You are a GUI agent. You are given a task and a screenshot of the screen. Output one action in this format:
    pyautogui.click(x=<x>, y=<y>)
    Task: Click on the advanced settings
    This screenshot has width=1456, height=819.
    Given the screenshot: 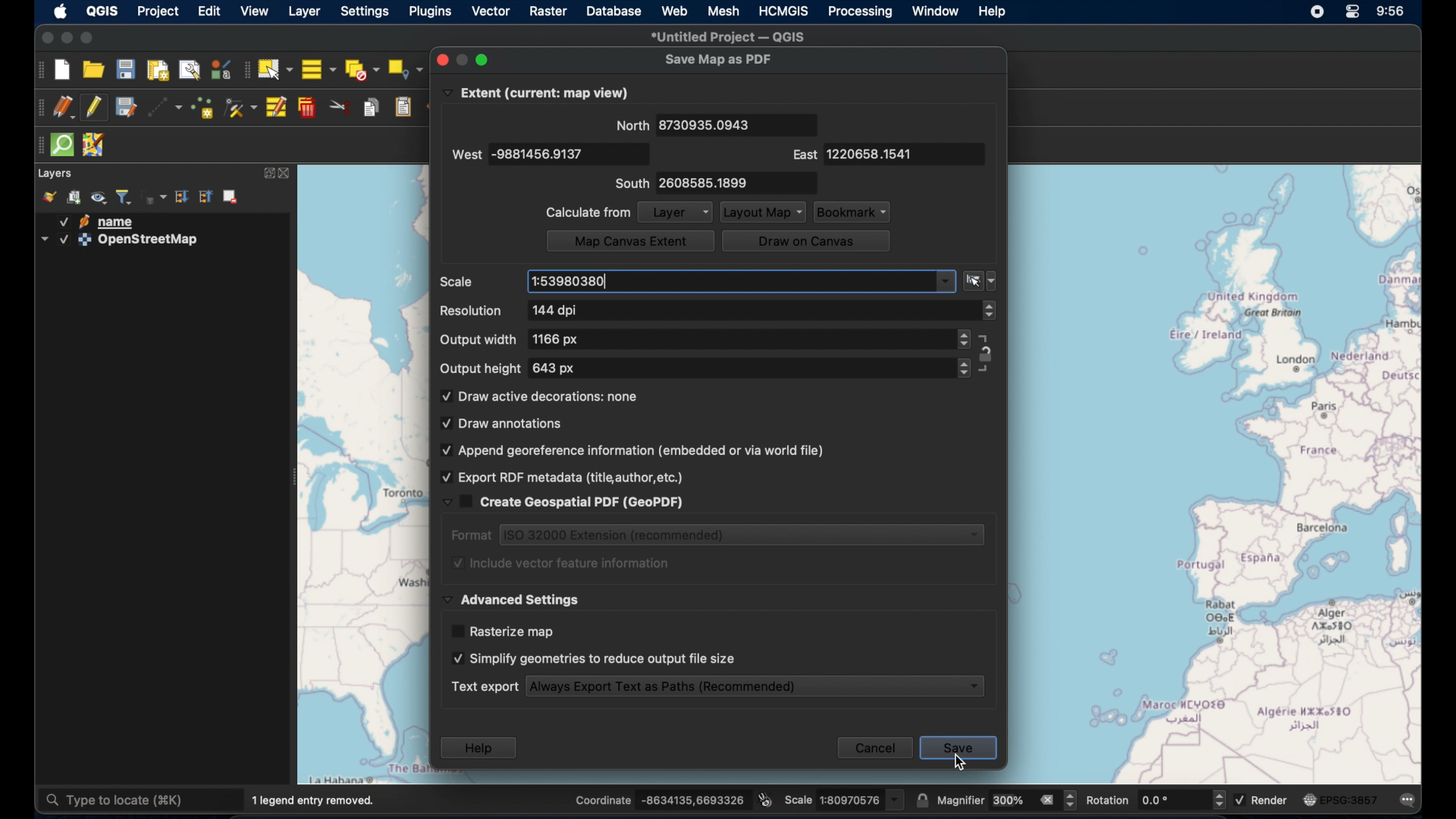 What is the action you would take?
    pyautogui.click(x=512, y=601)
    